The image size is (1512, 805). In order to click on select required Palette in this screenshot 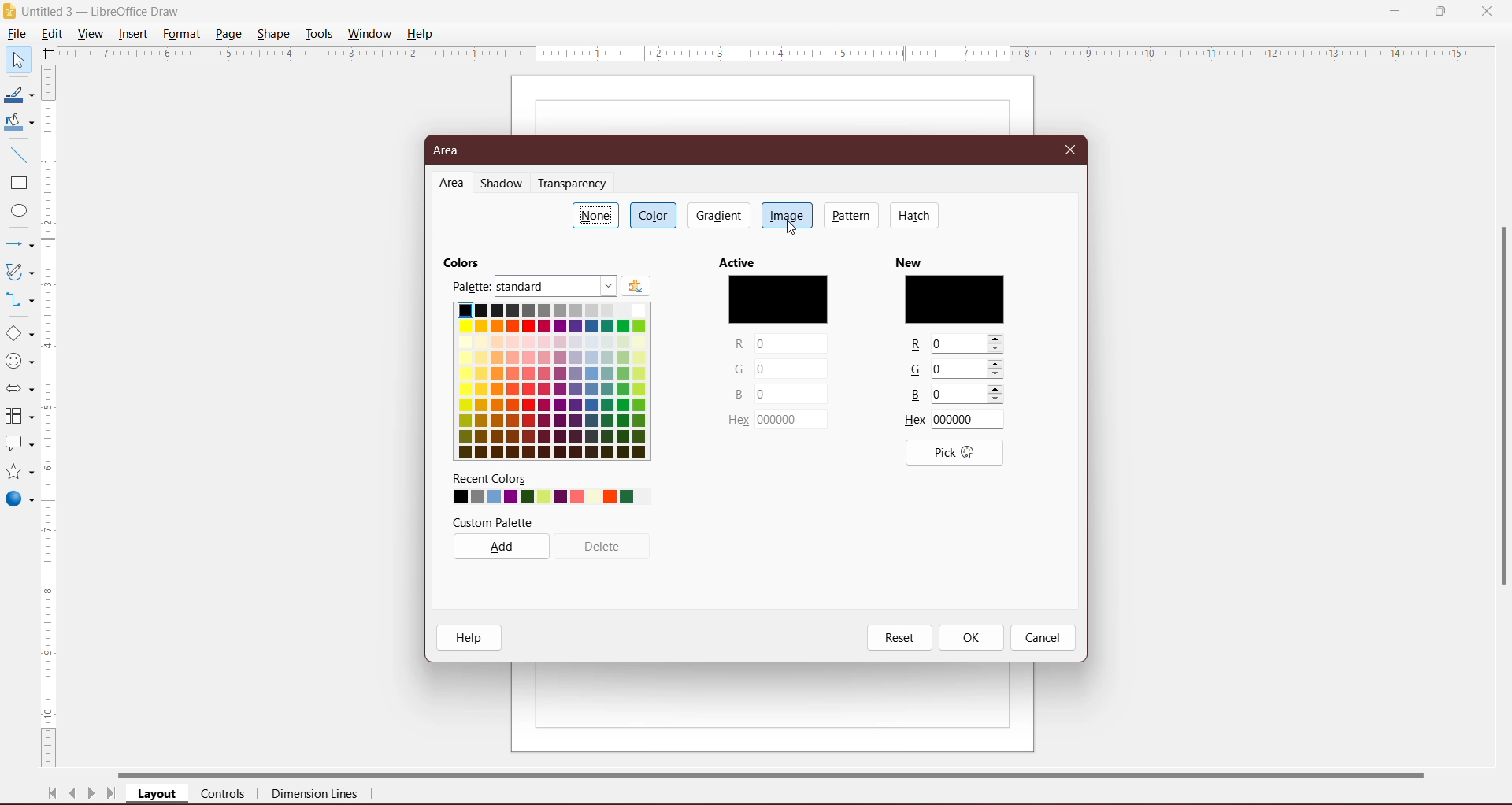, I will do `click(557, 287)`.